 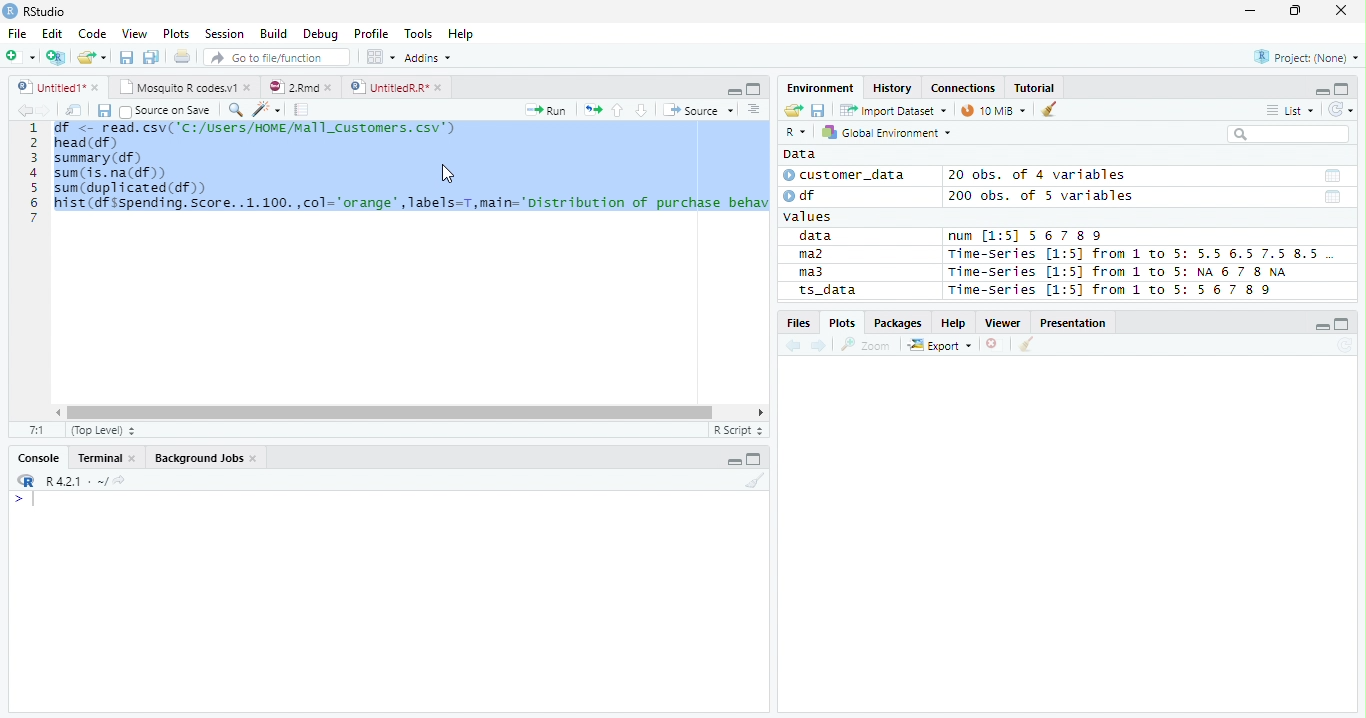 What do you see at coordinates (548, 111) in the screenshot?
I see `Run` at bounding box center [548, 111].